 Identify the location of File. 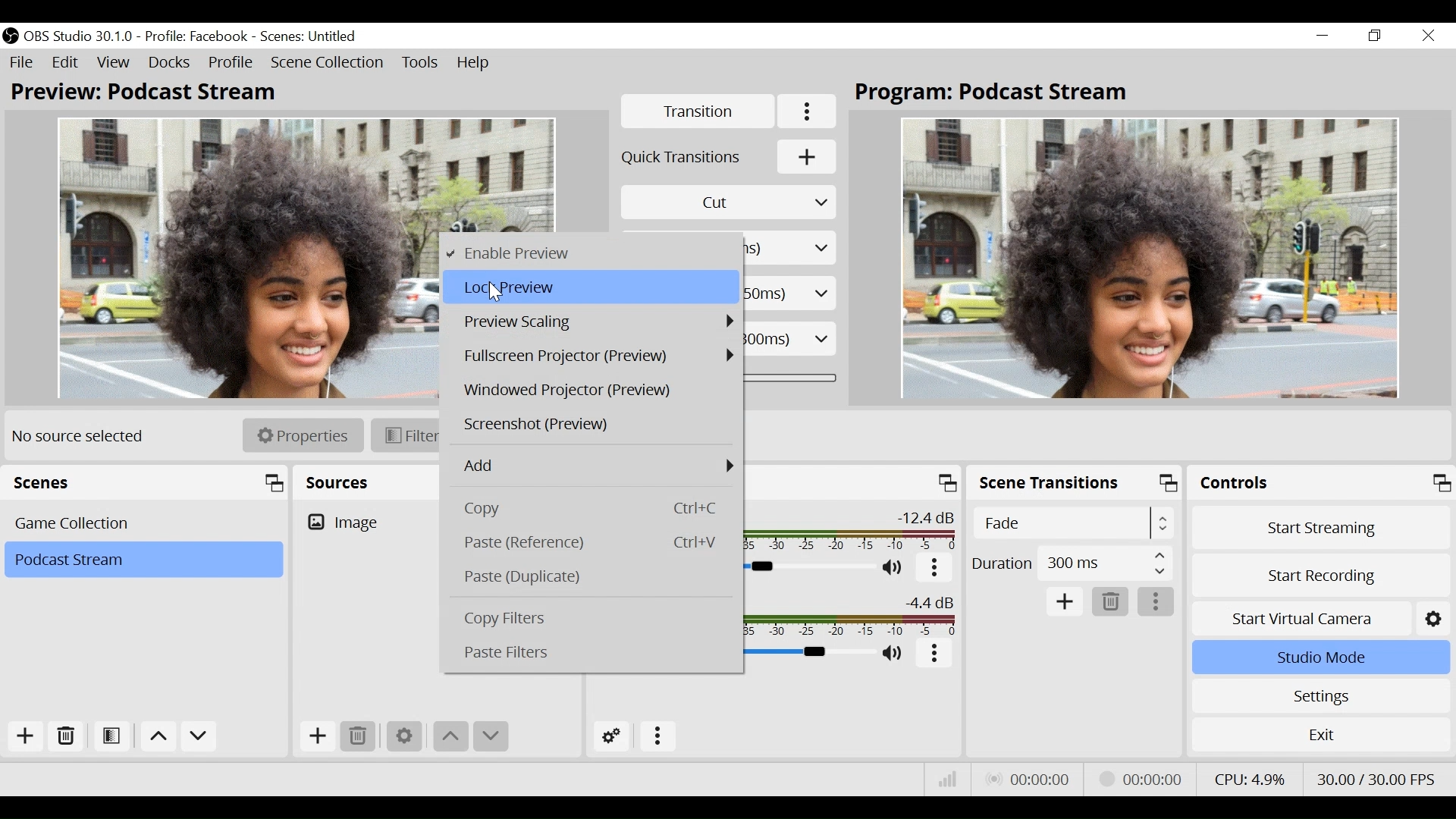
(22, 63).